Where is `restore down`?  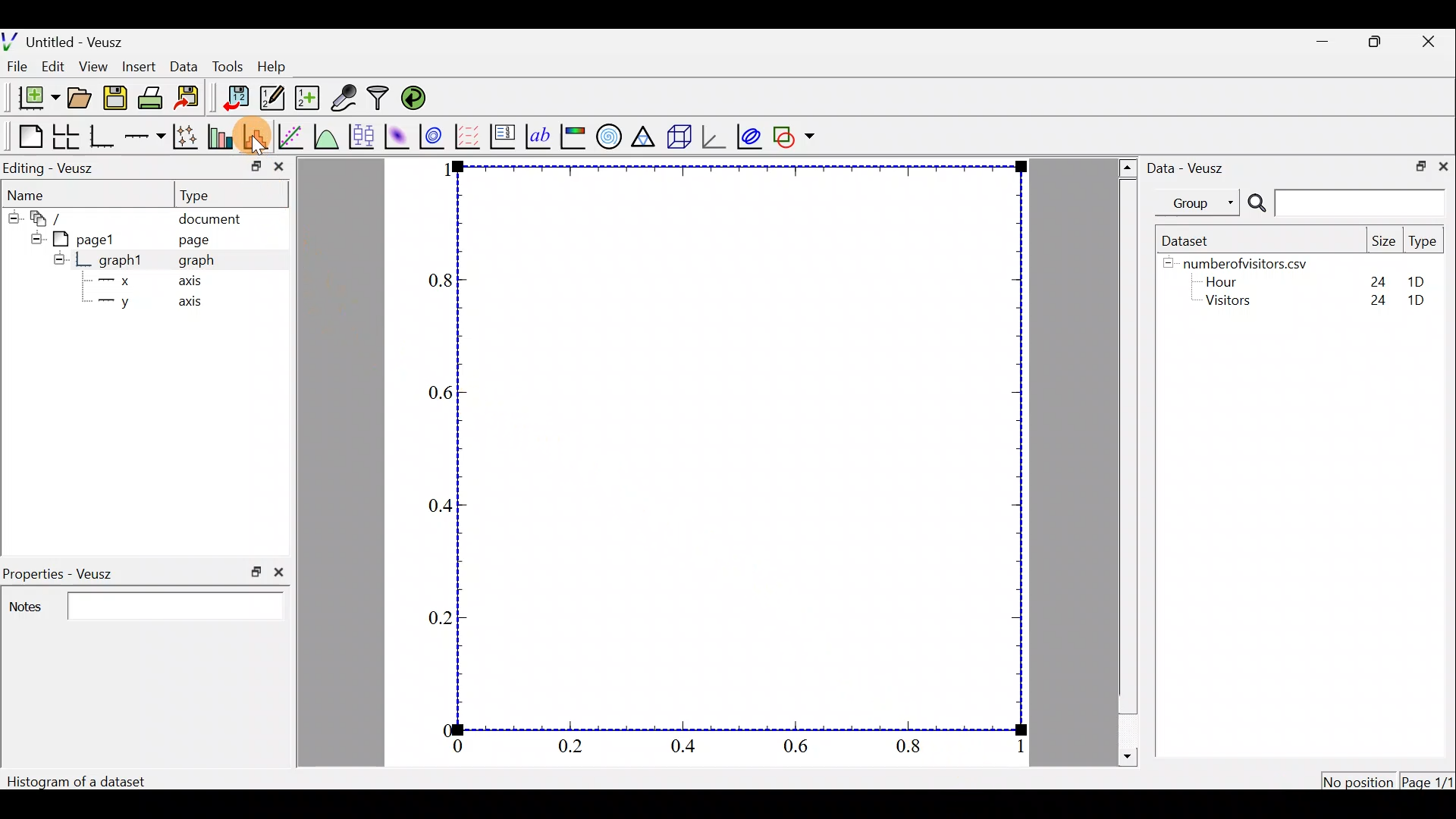
restore down is located at coordinates (253, 572).